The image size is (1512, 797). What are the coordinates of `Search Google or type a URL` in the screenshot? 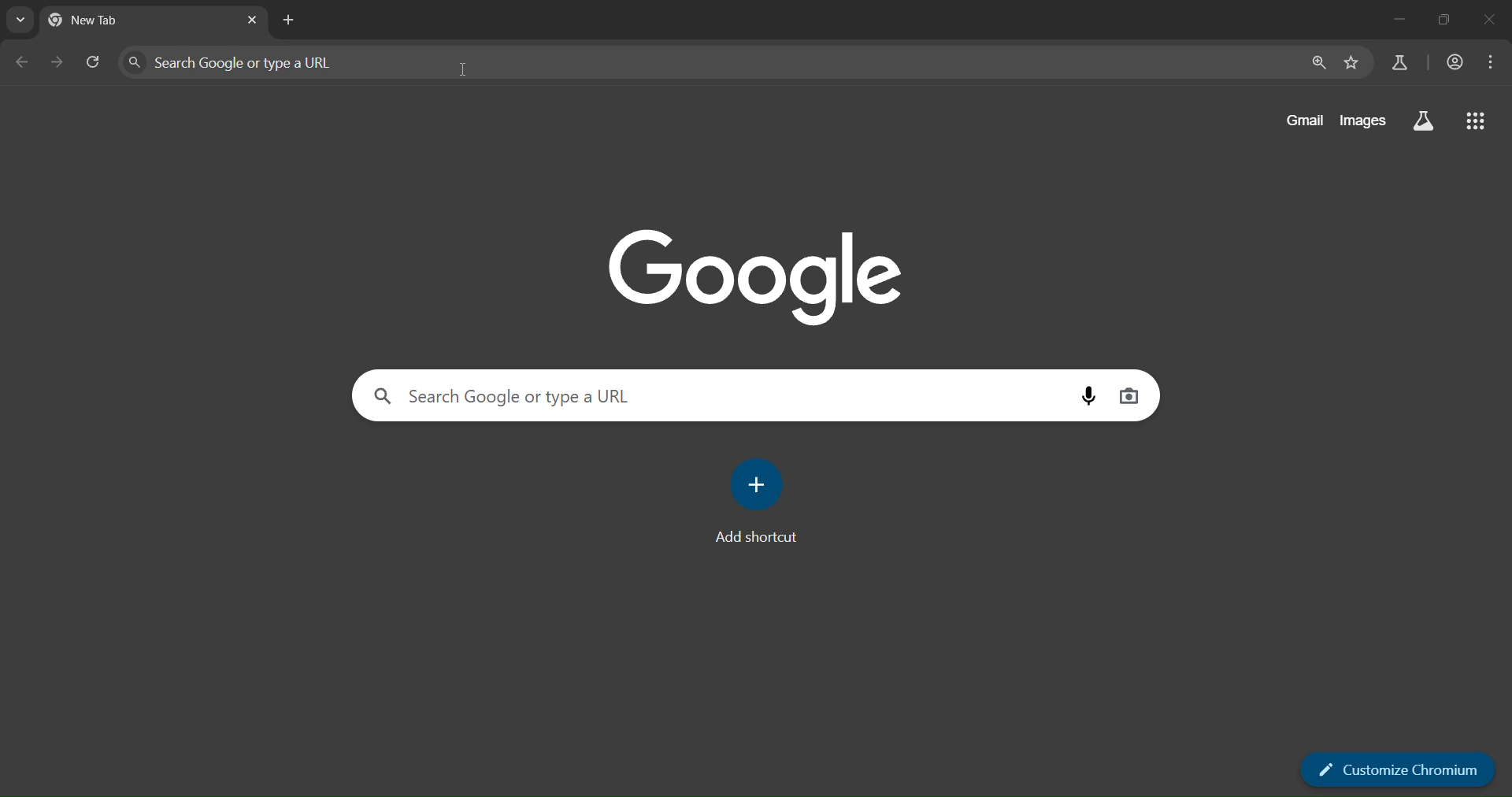 It's located at (708, 63).